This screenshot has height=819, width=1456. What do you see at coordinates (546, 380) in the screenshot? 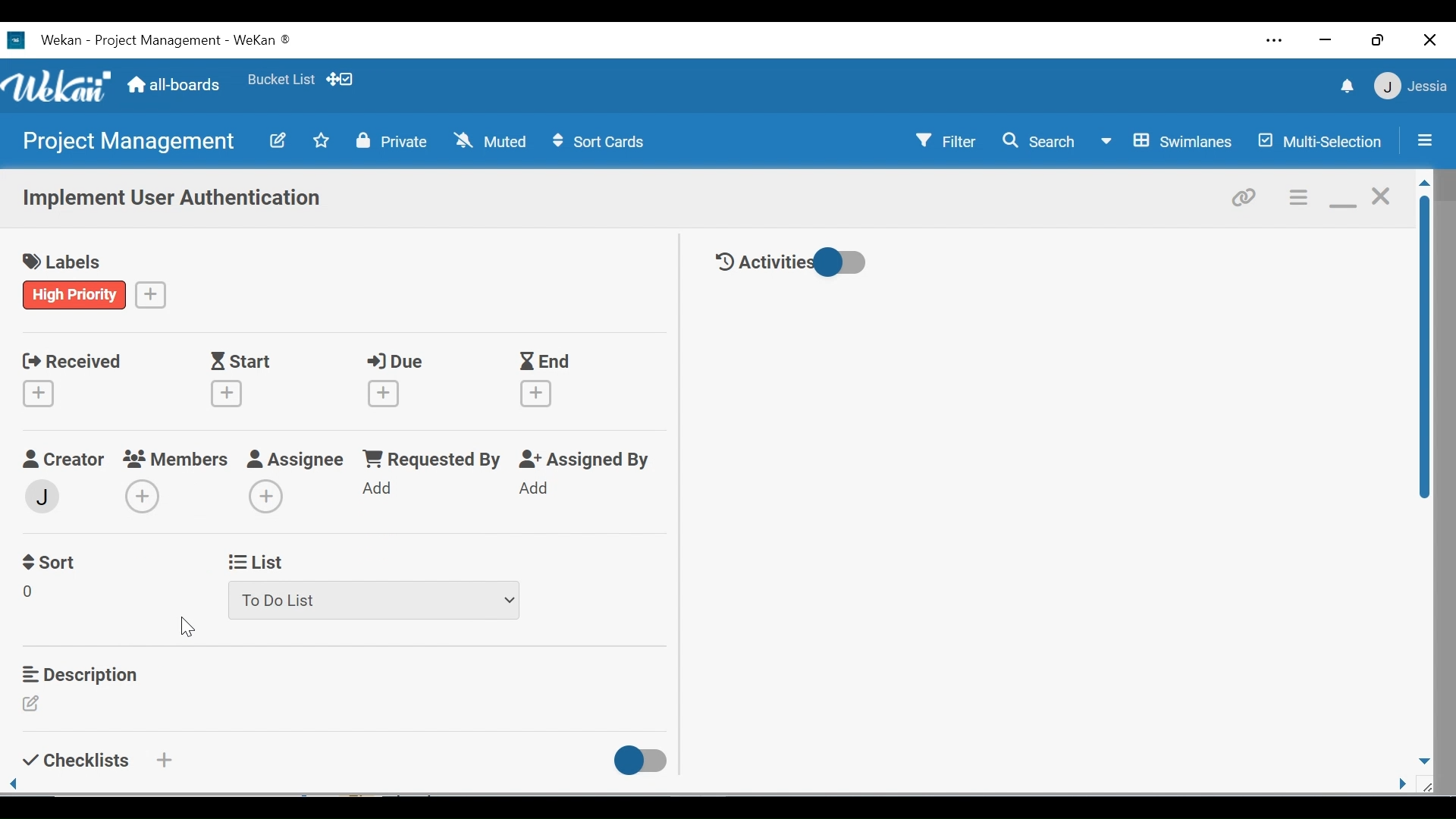
I see `X End` at bounding box center [546, 380].